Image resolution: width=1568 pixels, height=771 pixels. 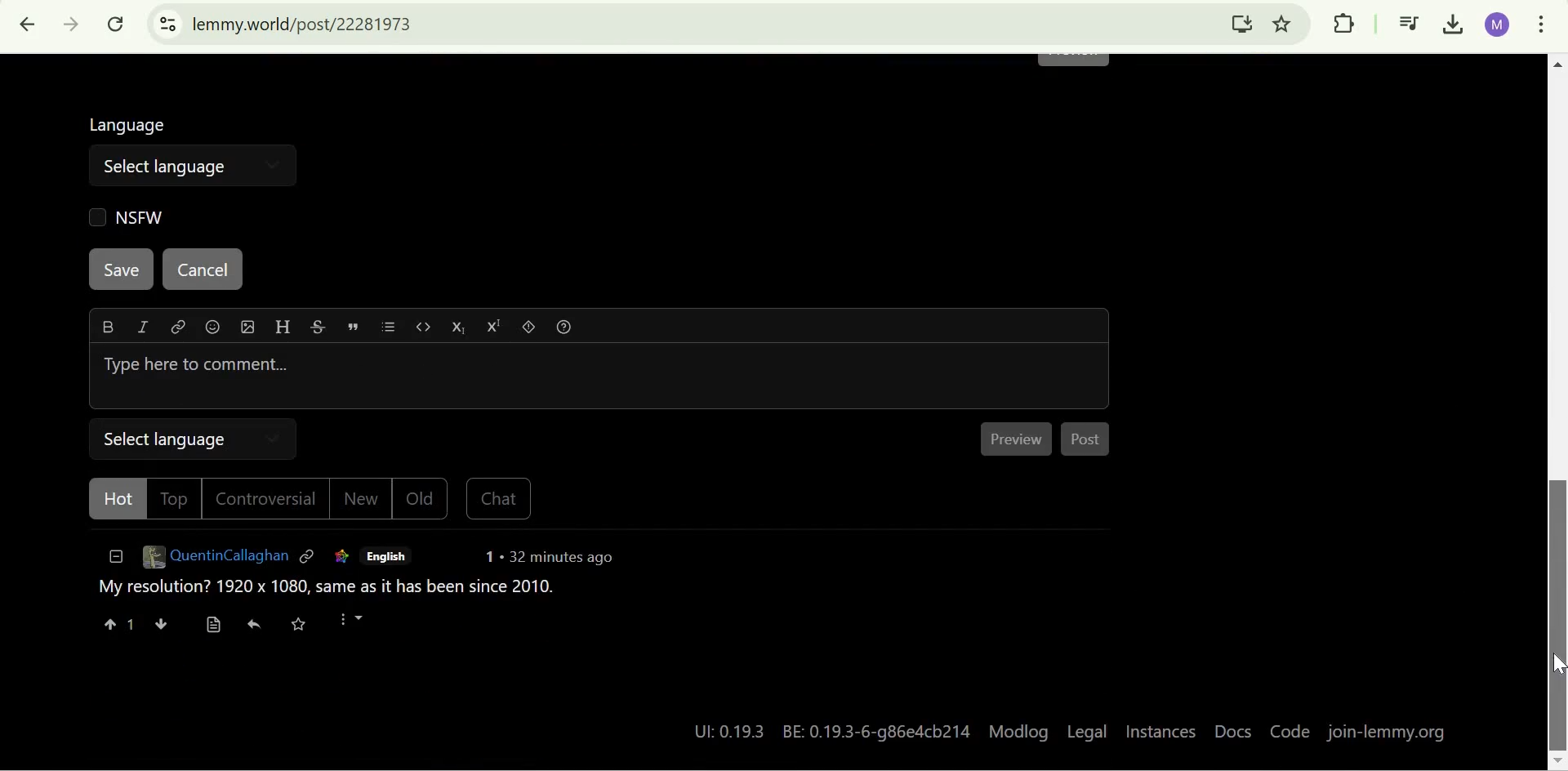 What do you see at coordinates (1541, 27) in the screenshot?
I see `customize and control google chrome` at bounding box center [1541, 27].